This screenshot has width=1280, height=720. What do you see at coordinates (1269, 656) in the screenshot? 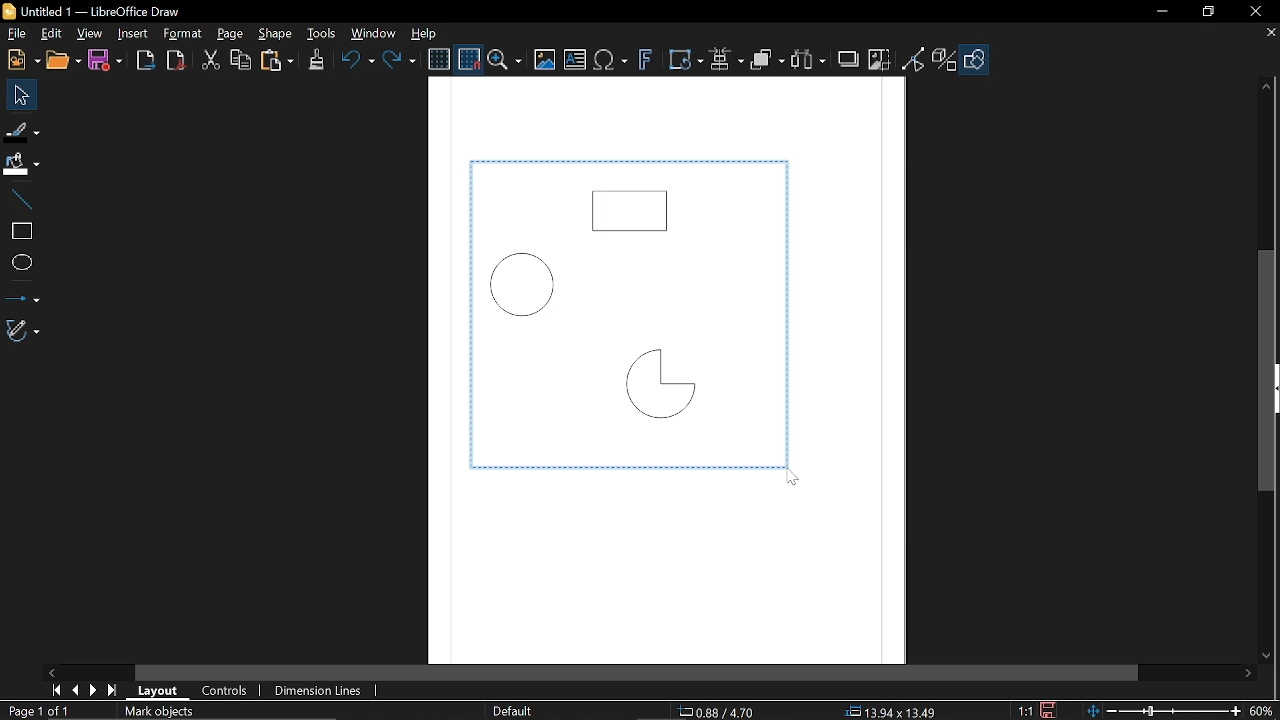
I see `Move down` at bounding box center [1269, 656].